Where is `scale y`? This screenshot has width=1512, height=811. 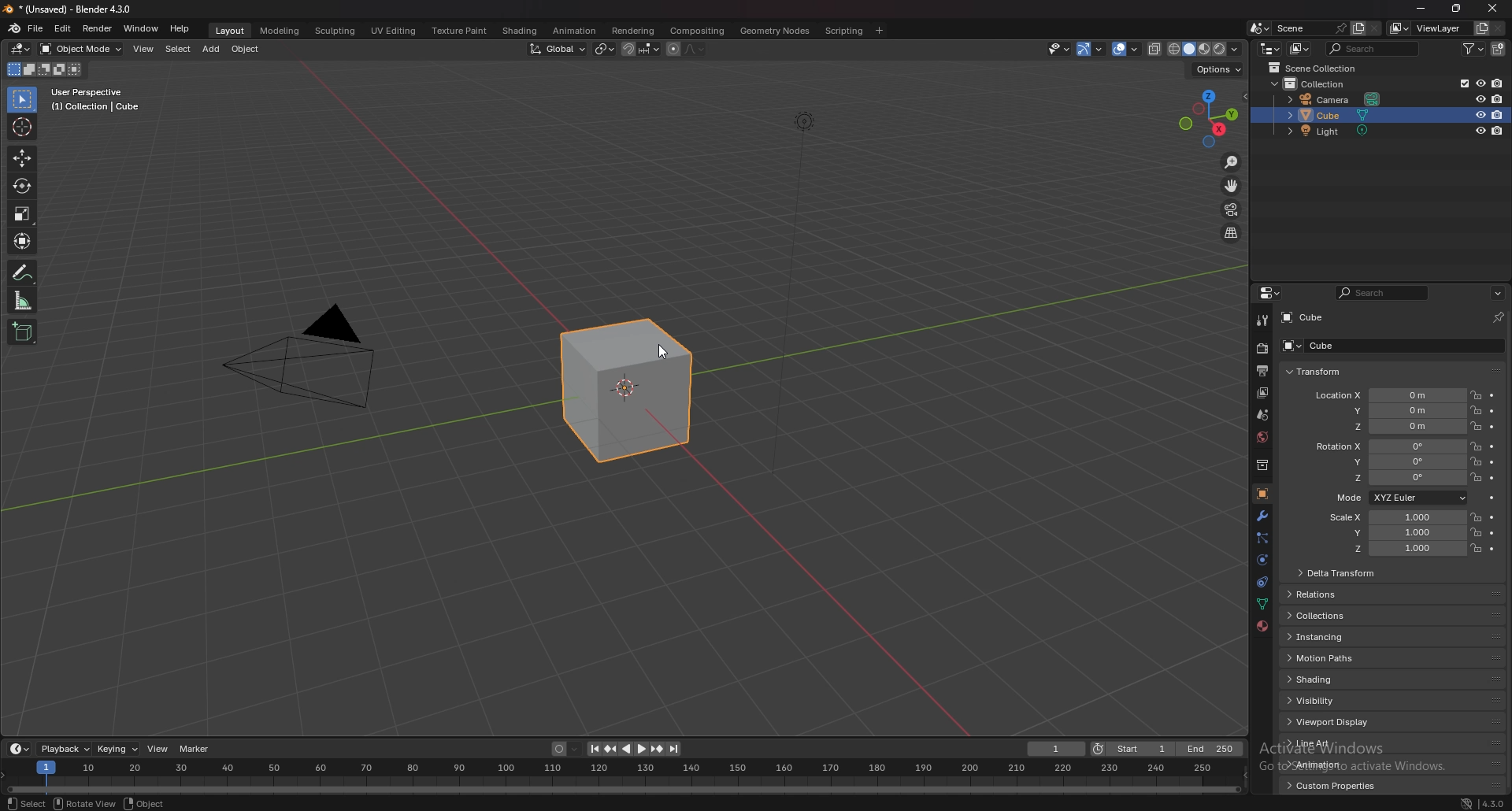
scale y is located at coordinates (1396, 533).